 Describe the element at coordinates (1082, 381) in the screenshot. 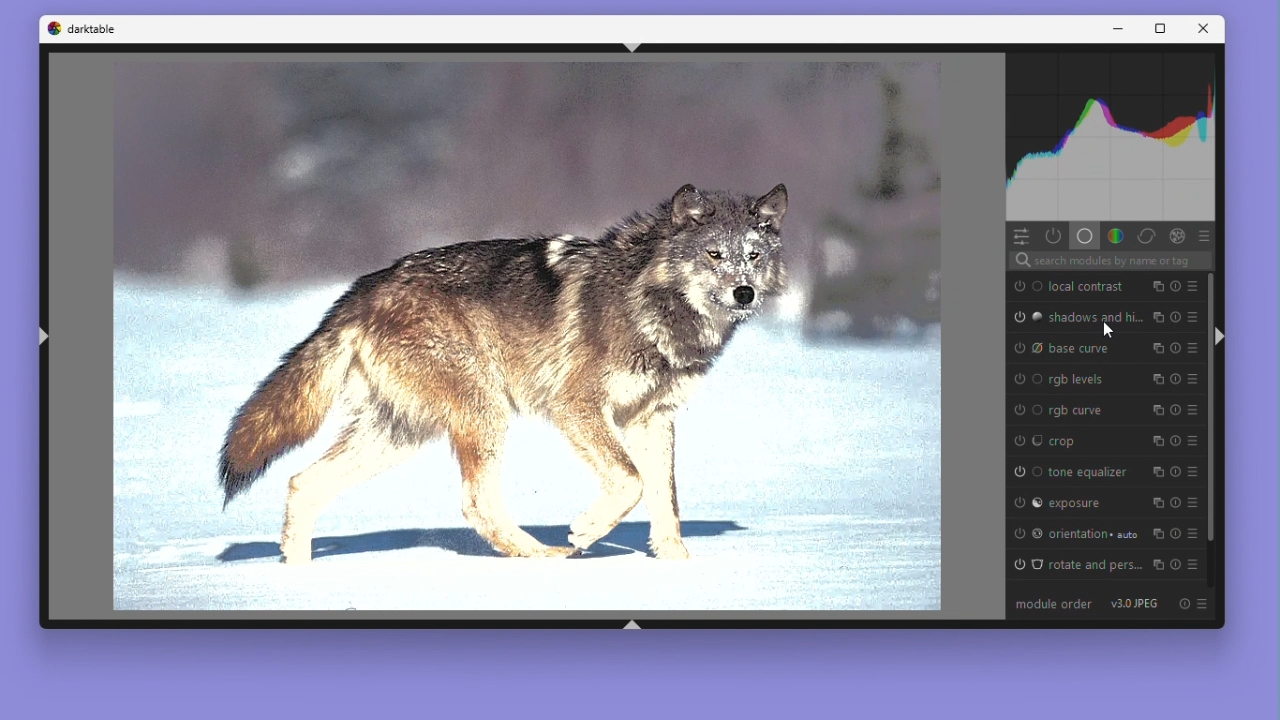

I see `rgb levels` at that location.